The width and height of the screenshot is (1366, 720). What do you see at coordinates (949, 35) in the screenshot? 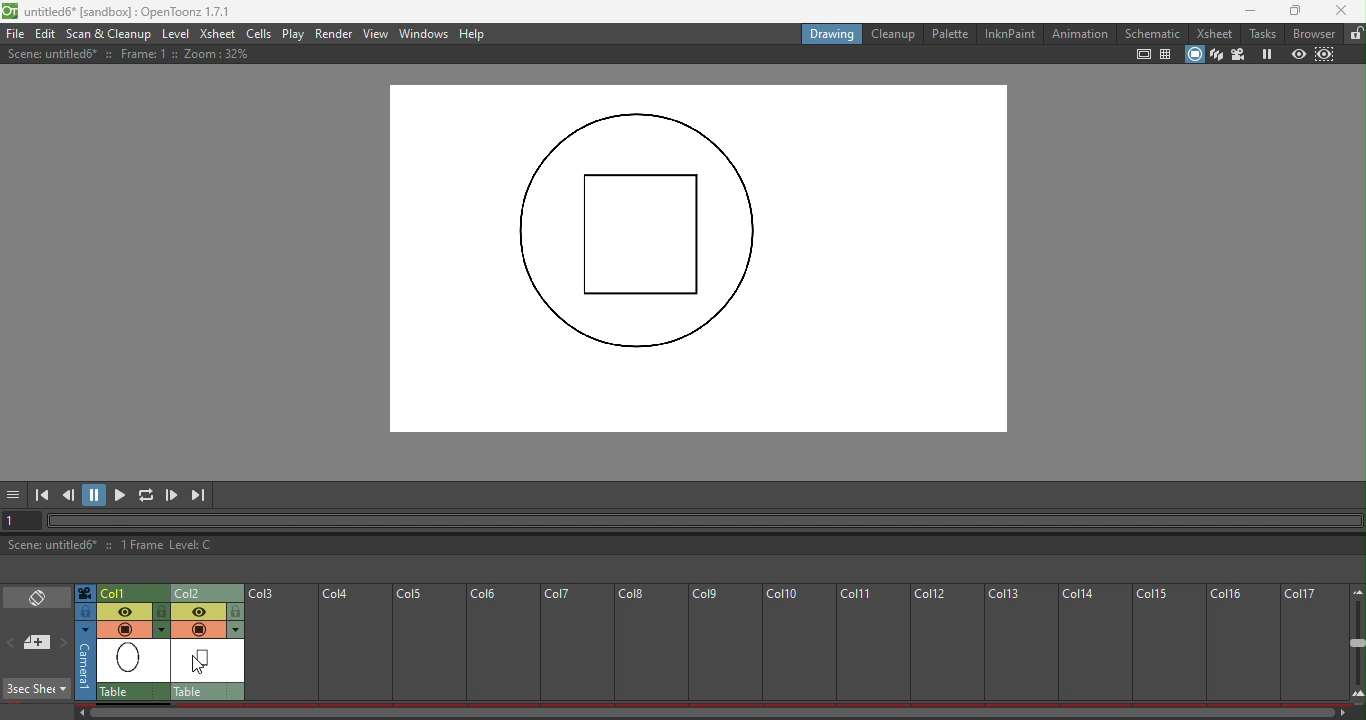
I see `Palette` at bounding box center [949, 35].